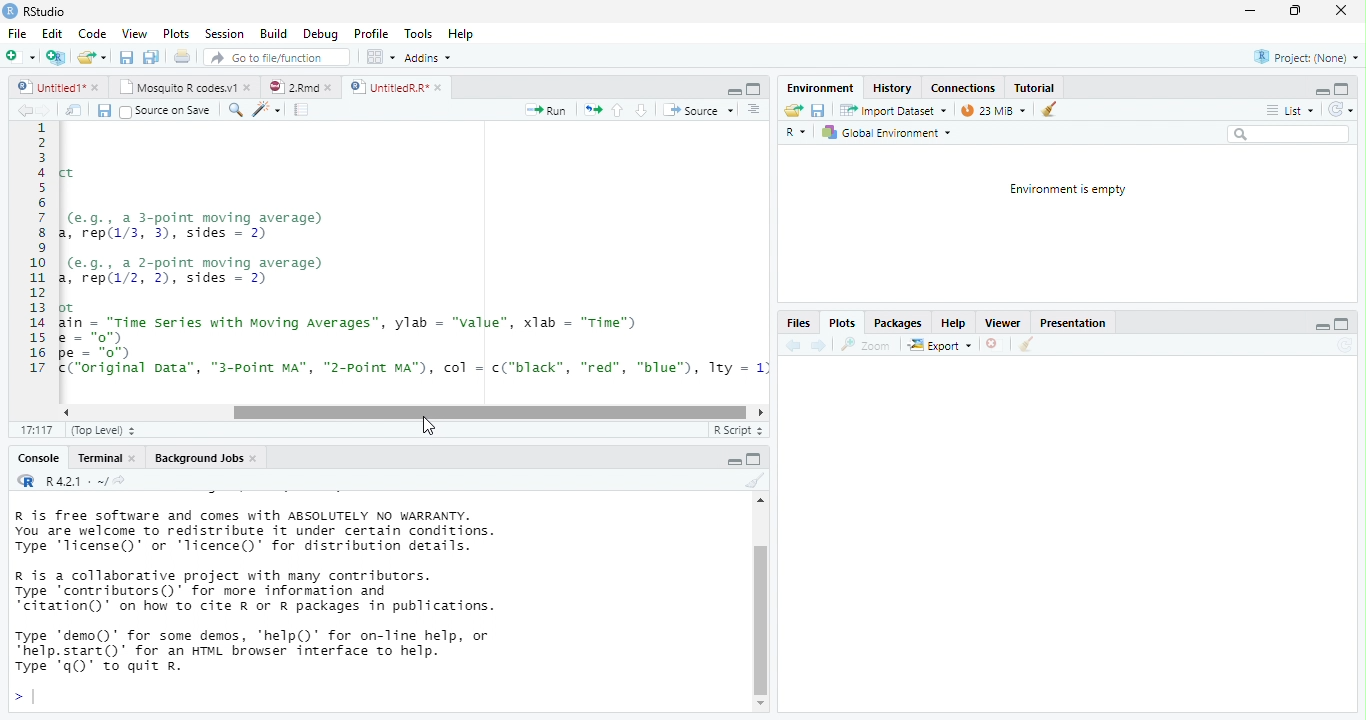  Describe the element at coordinates (898, 323) in the screenshot. I see `Packages` at that location.